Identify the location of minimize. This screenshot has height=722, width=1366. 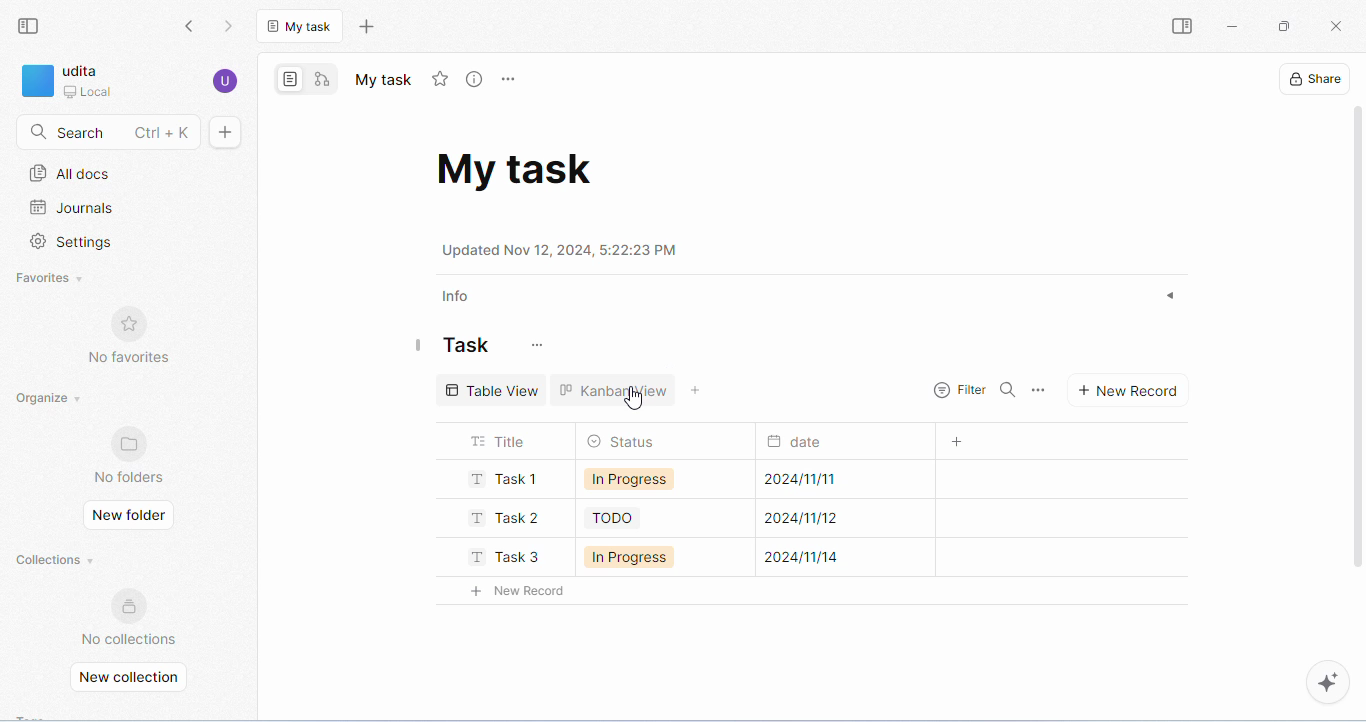
(1235, 28).